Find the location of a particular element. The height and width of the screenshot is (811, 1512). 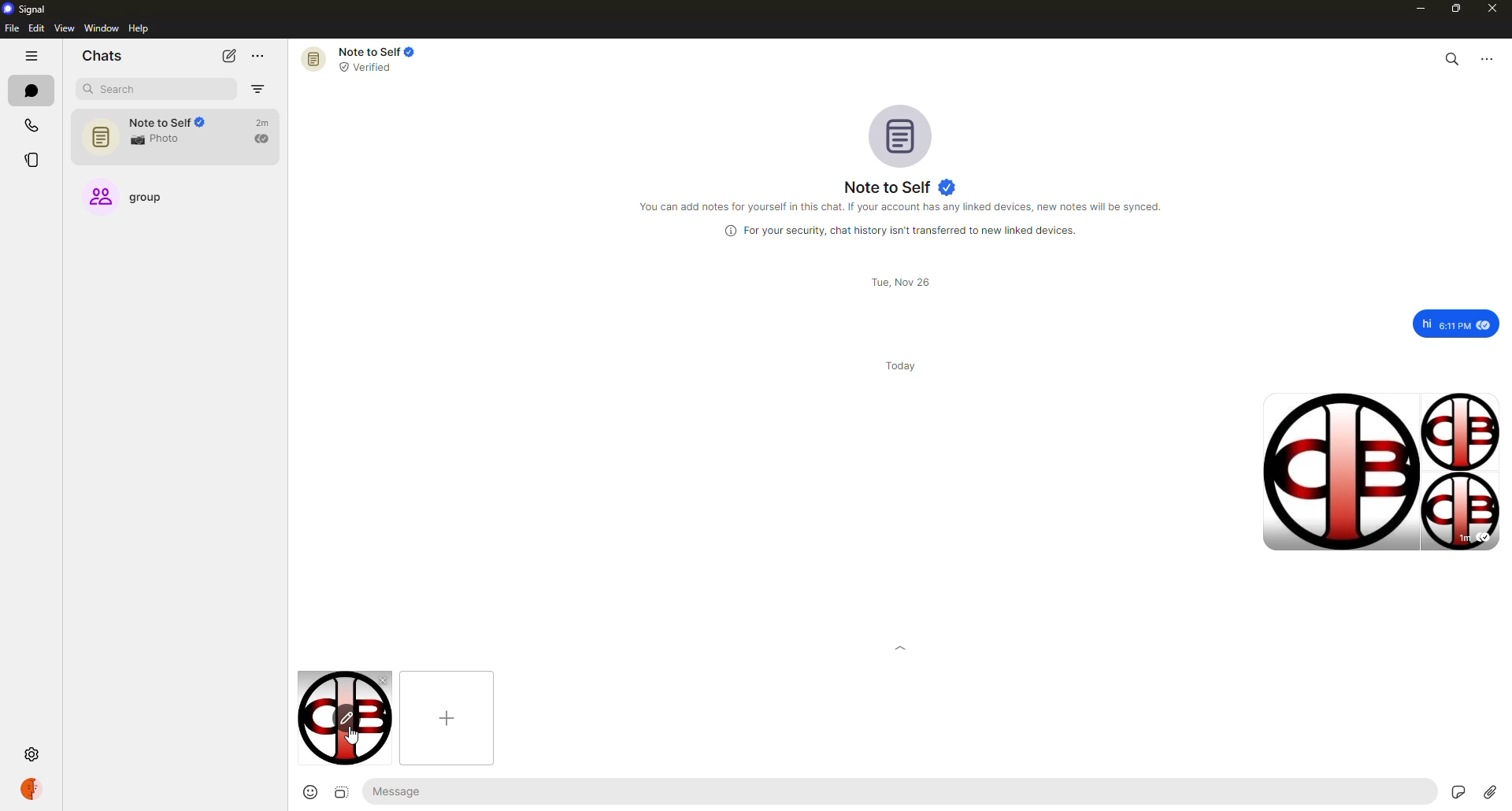

maximize is located at coordinates (1452, 8).